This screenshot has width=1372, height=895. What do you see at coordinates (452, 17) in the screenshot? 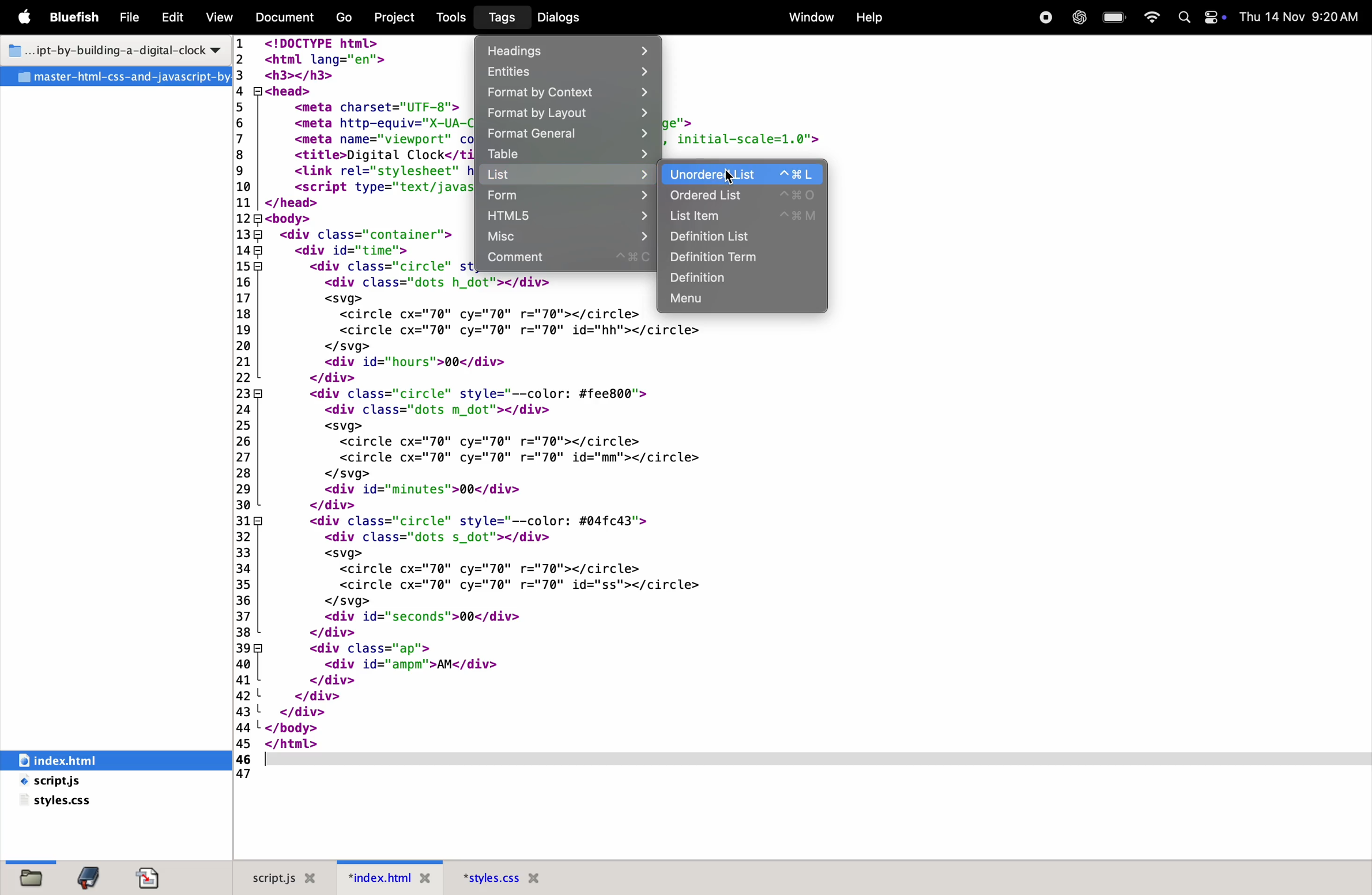
I see `tools` at bounding box center [452, 17].